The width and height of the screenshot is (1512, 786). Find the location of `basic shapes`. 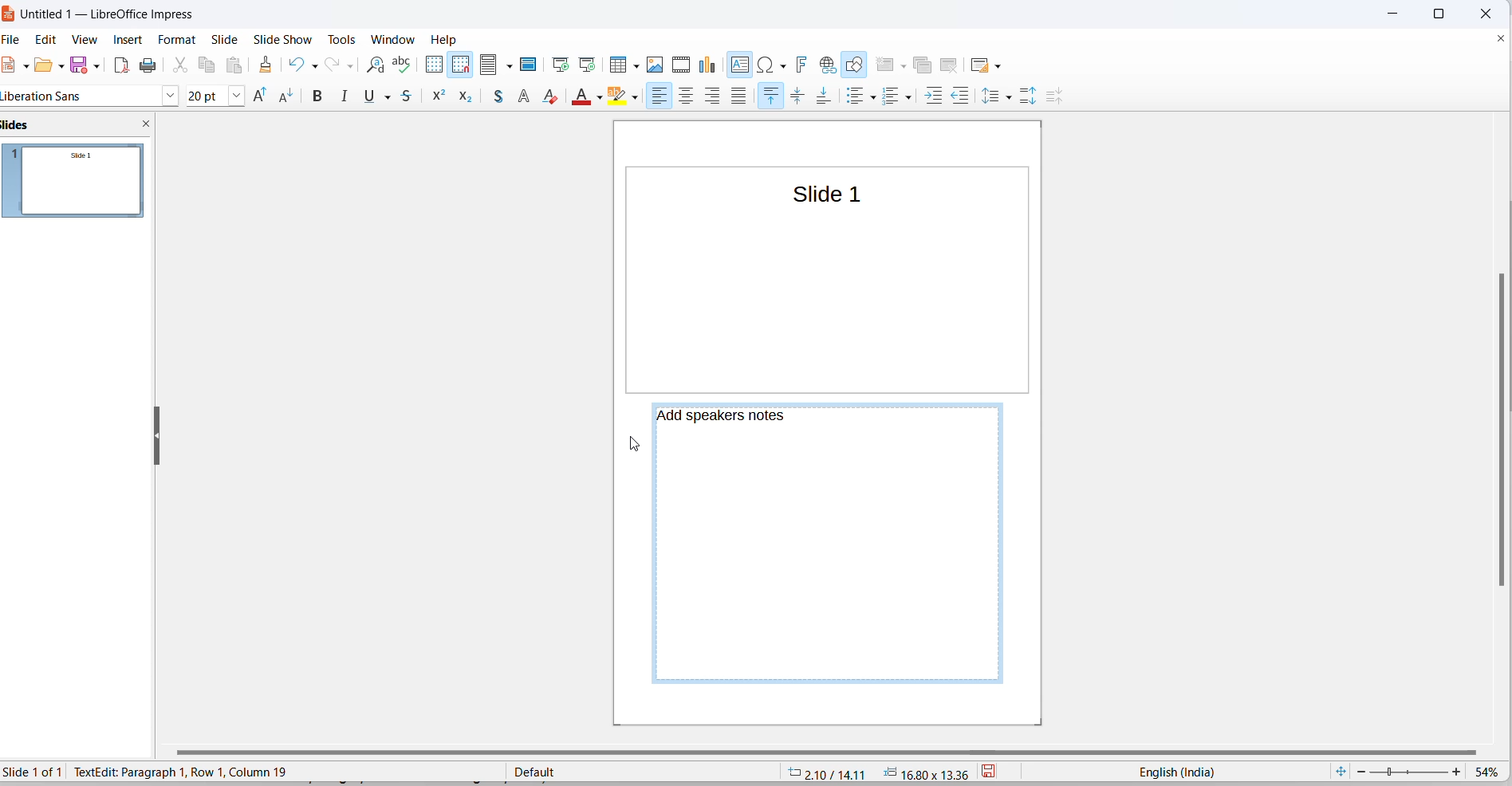

basic shapes is located at coordinates (343, 96).